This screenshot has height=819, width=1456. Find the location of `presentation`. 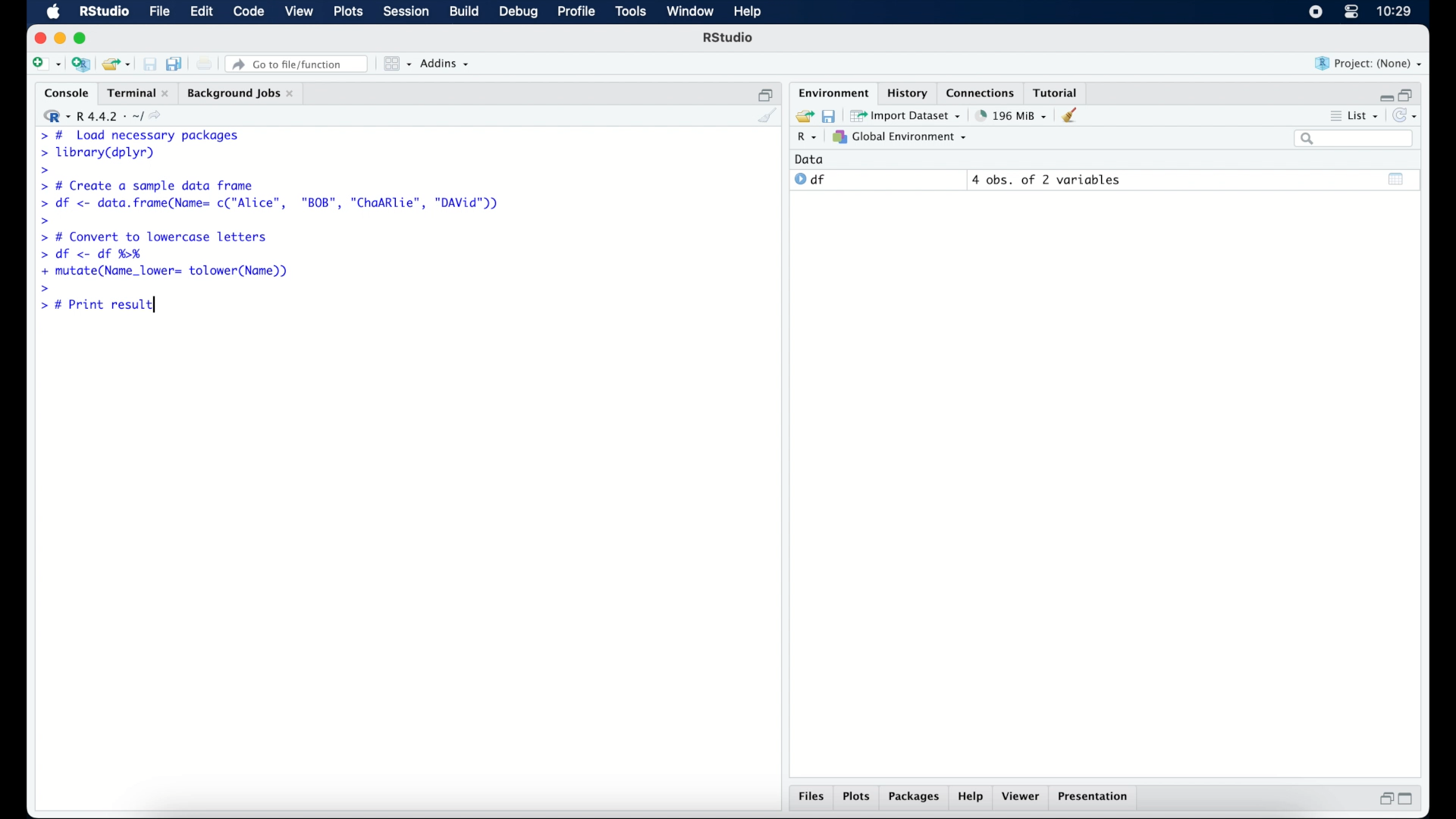

presentation is located at coordinates (1095, 798).